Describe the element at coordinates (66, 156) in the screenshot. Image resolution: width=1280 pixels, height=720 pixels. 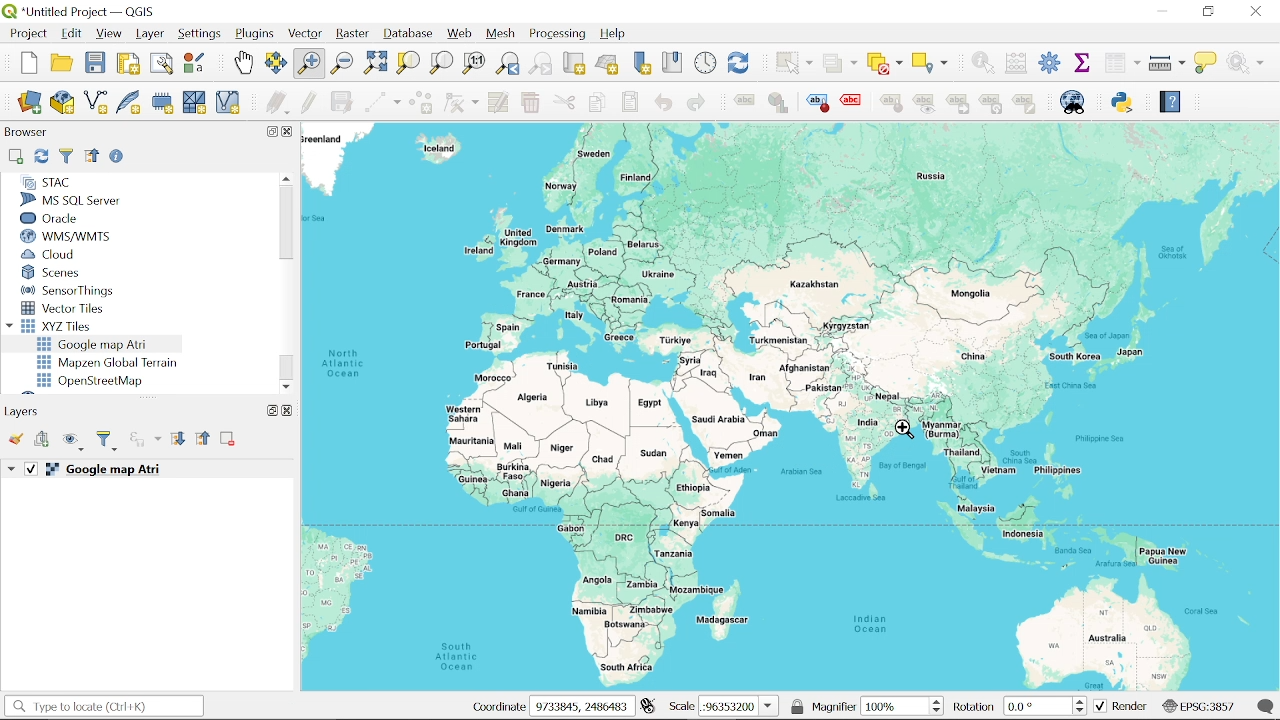
I see `Filter Browser` at that location.